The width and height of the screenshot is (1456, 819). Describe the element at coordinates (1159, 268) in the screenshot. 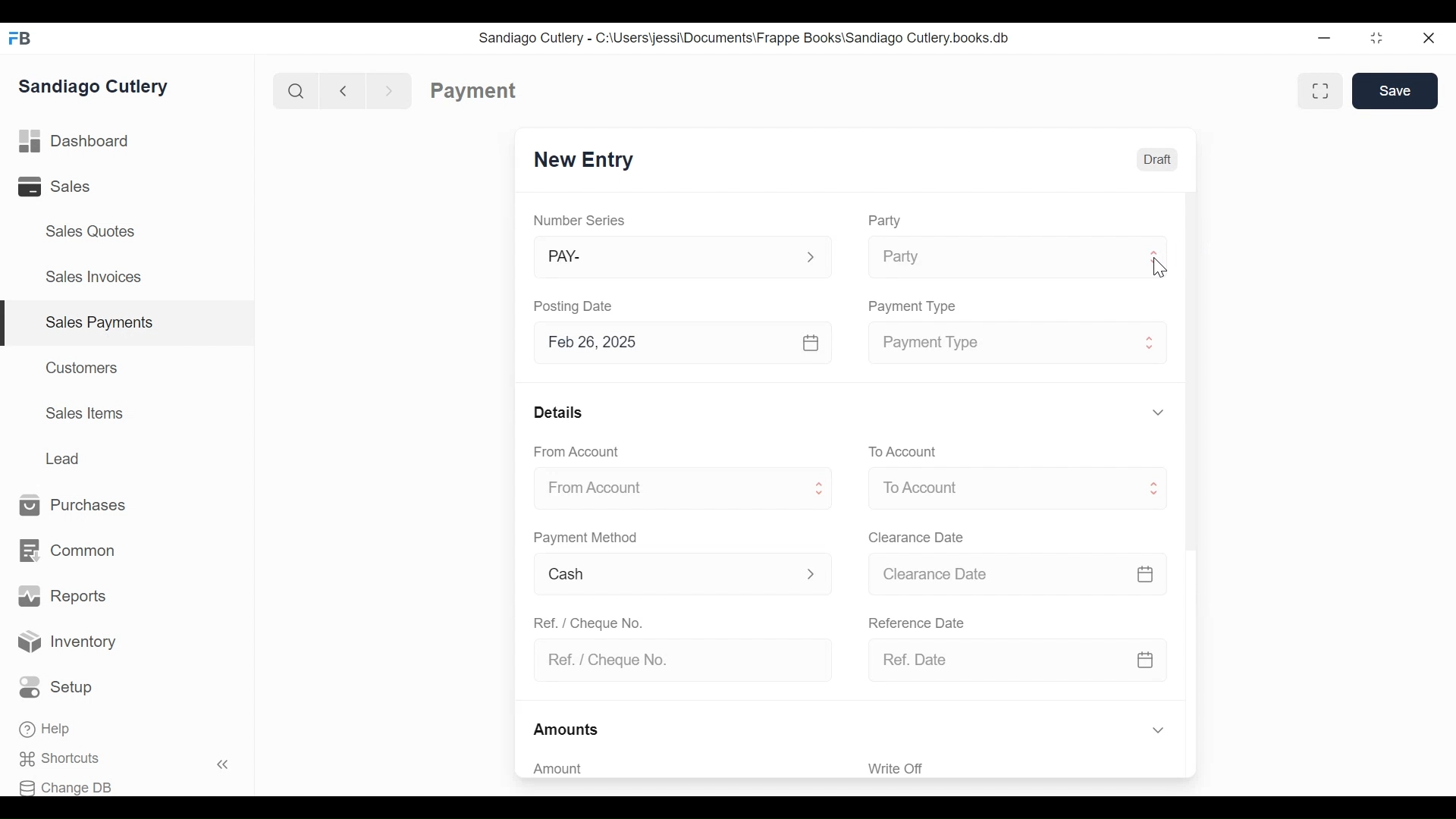

I see `cursor` at that location.